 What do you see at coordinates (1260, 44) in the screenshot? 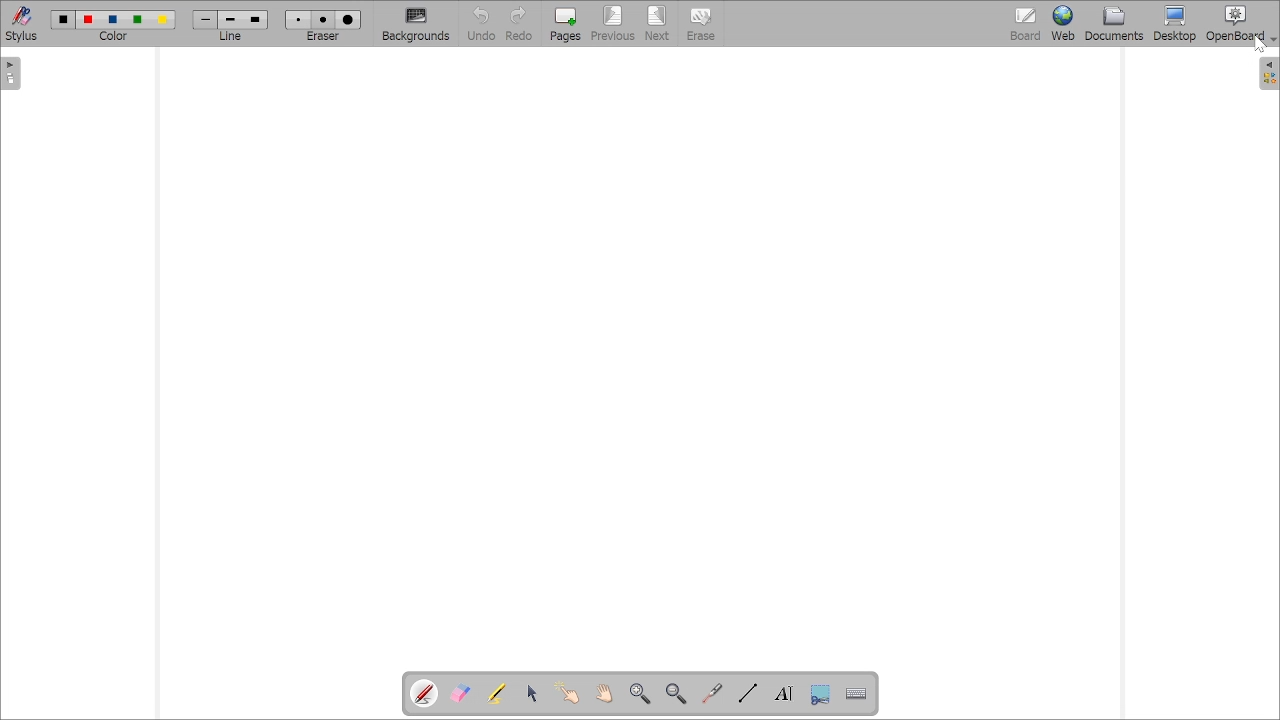
I see `cursor` at bounding box center [1260, 44].